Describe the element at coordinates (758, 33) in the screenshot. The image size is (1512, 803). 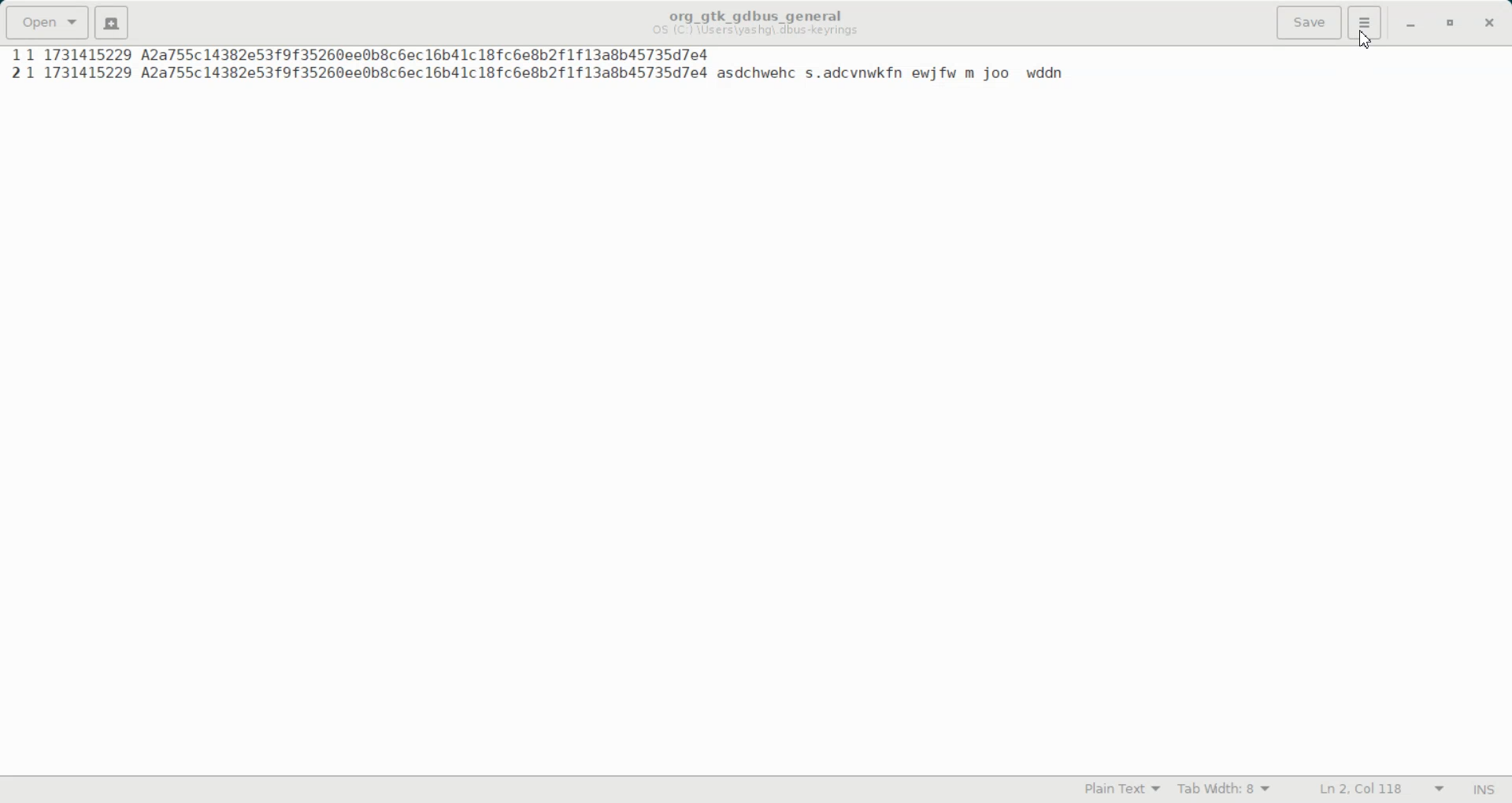
I see `OS (C) \Users\yashg\ dbus -keyrings` at that location.